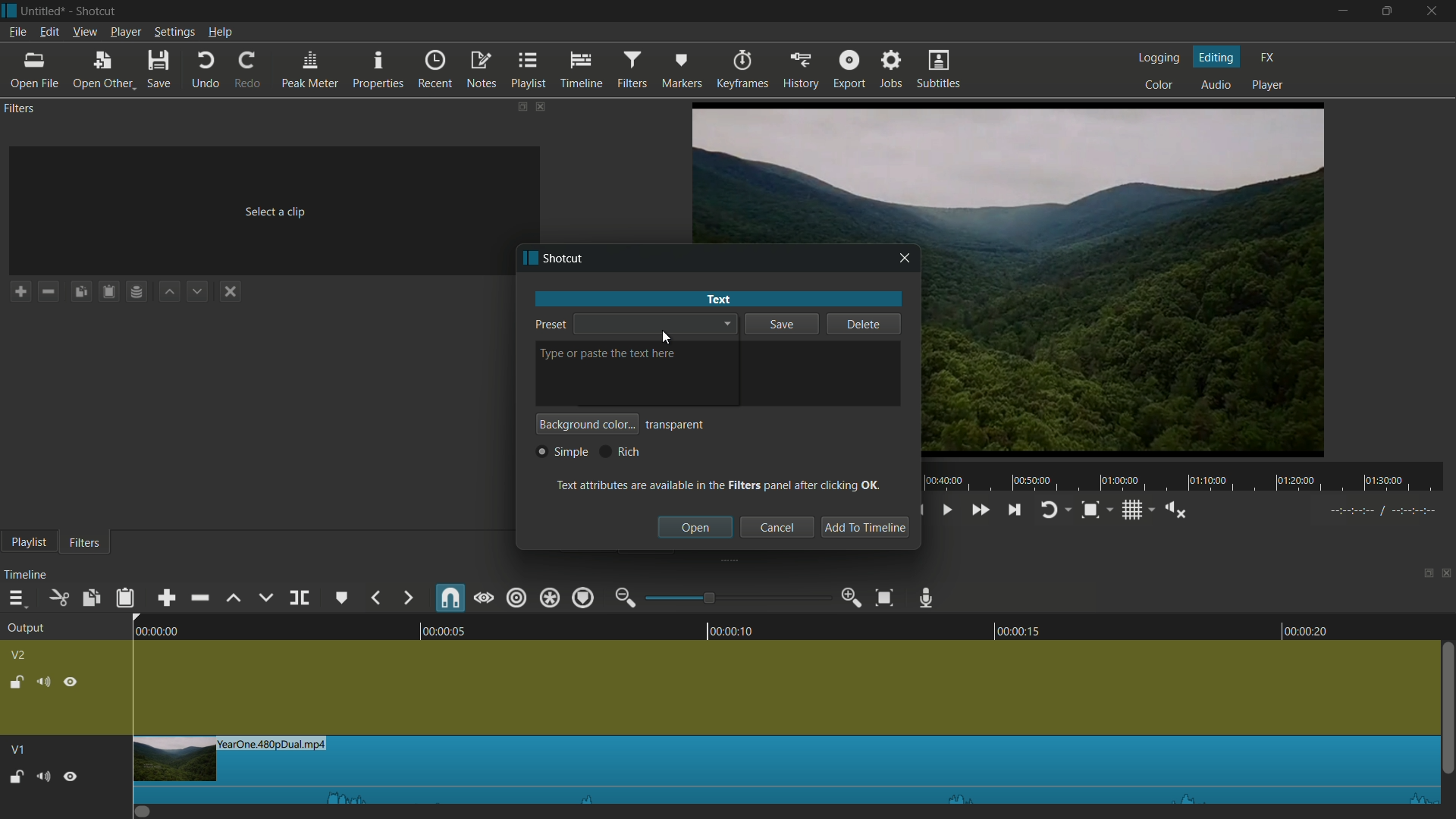 The width and height of the screenshot is (1456, 819). What do you see at coordinates (1434, 11) in the screenshot?
I see `close app` at bounding box center [1434, 11].